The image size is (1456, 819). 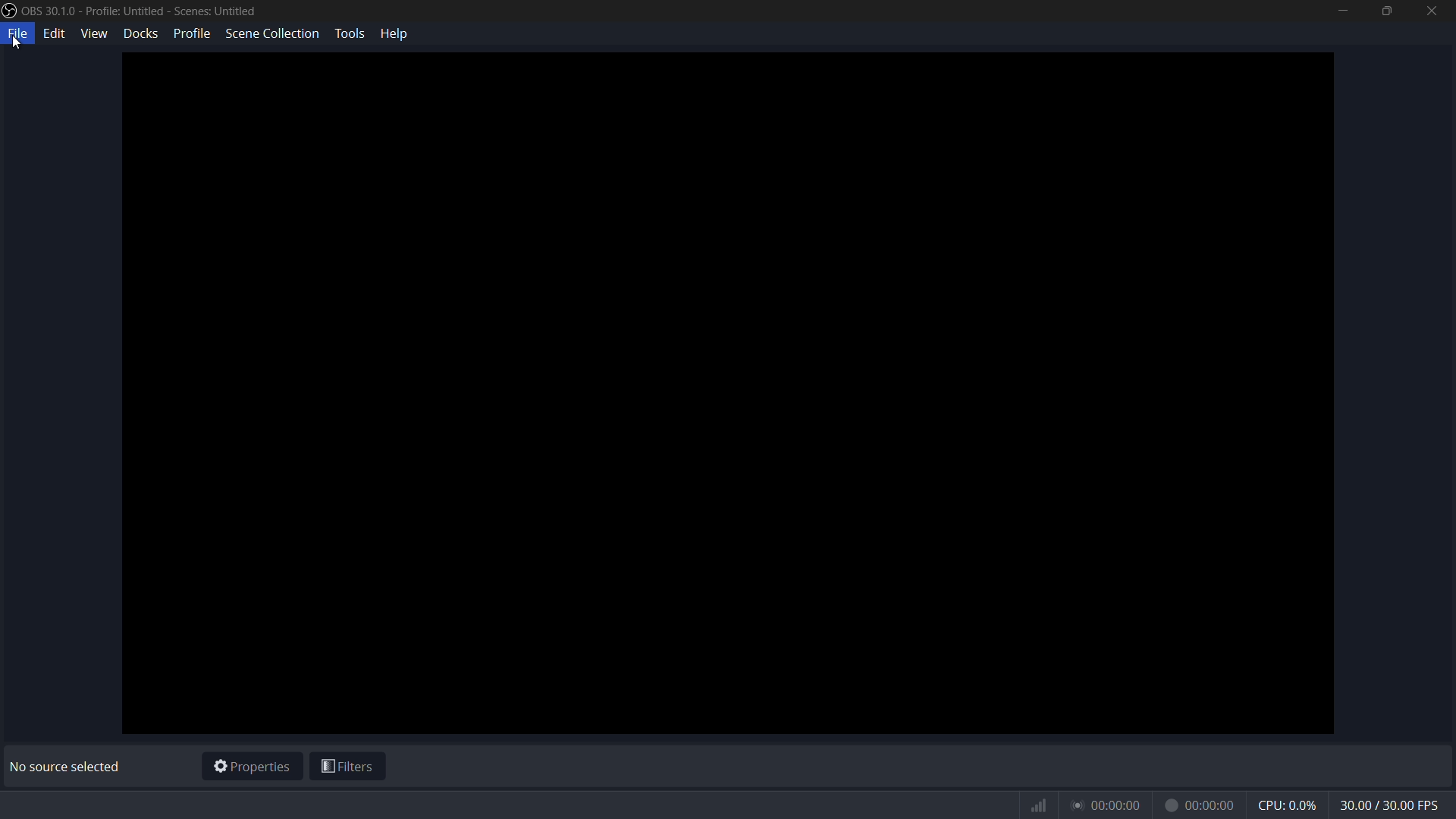 I want to click on docks menu, so click(x=142, y=33).